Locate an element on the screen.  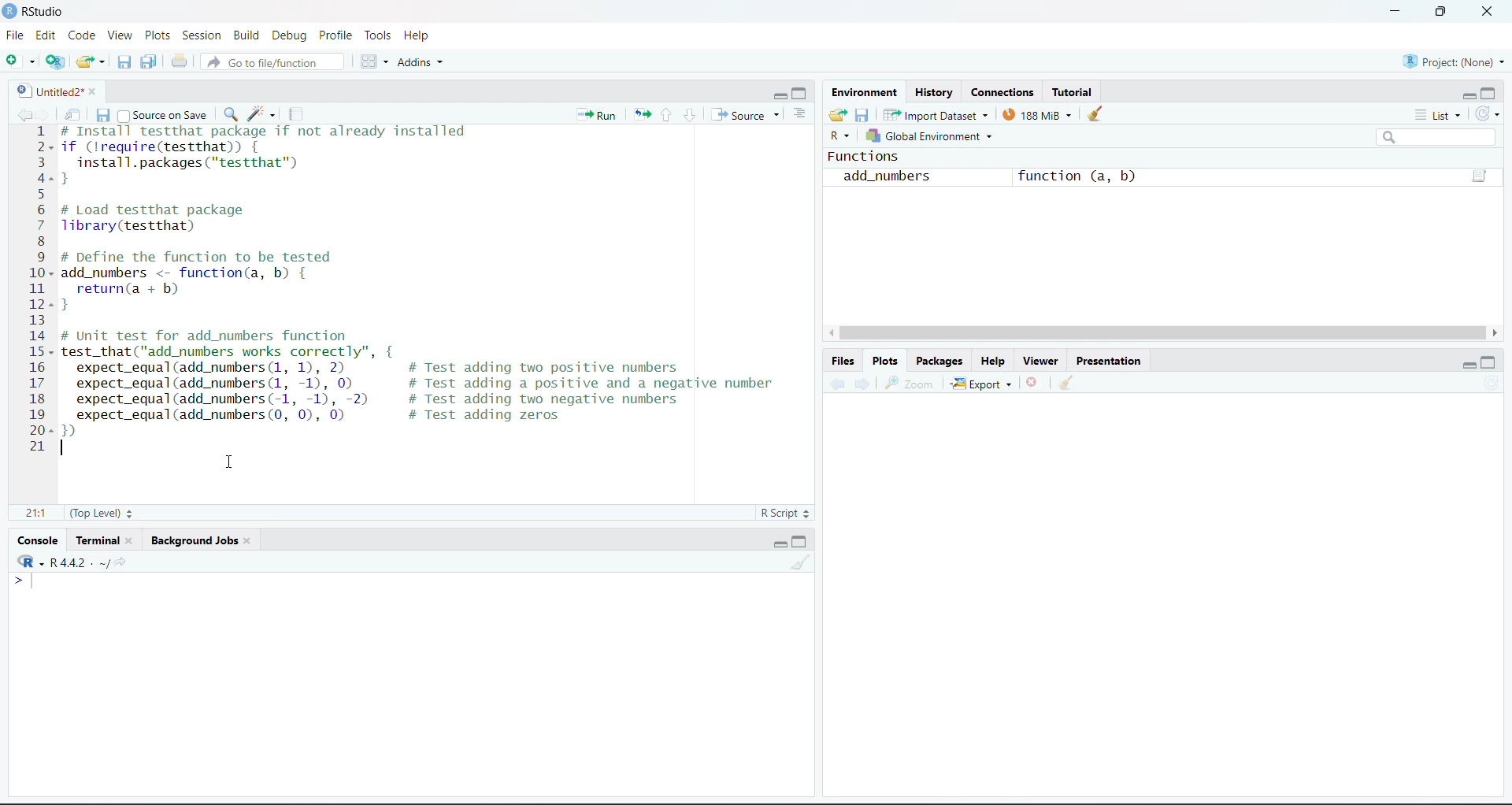
remove is located at coordinates (1032, 381).